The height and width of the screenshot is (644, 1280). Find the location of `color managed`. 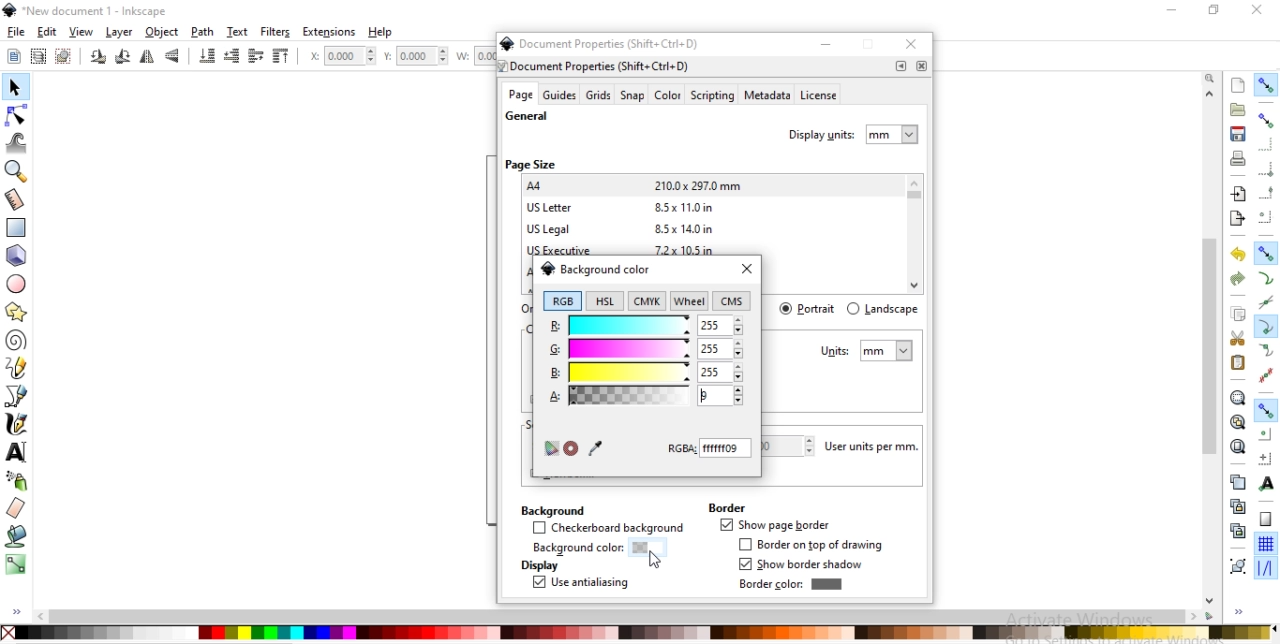

color managed is located at coordinates (550, 449).